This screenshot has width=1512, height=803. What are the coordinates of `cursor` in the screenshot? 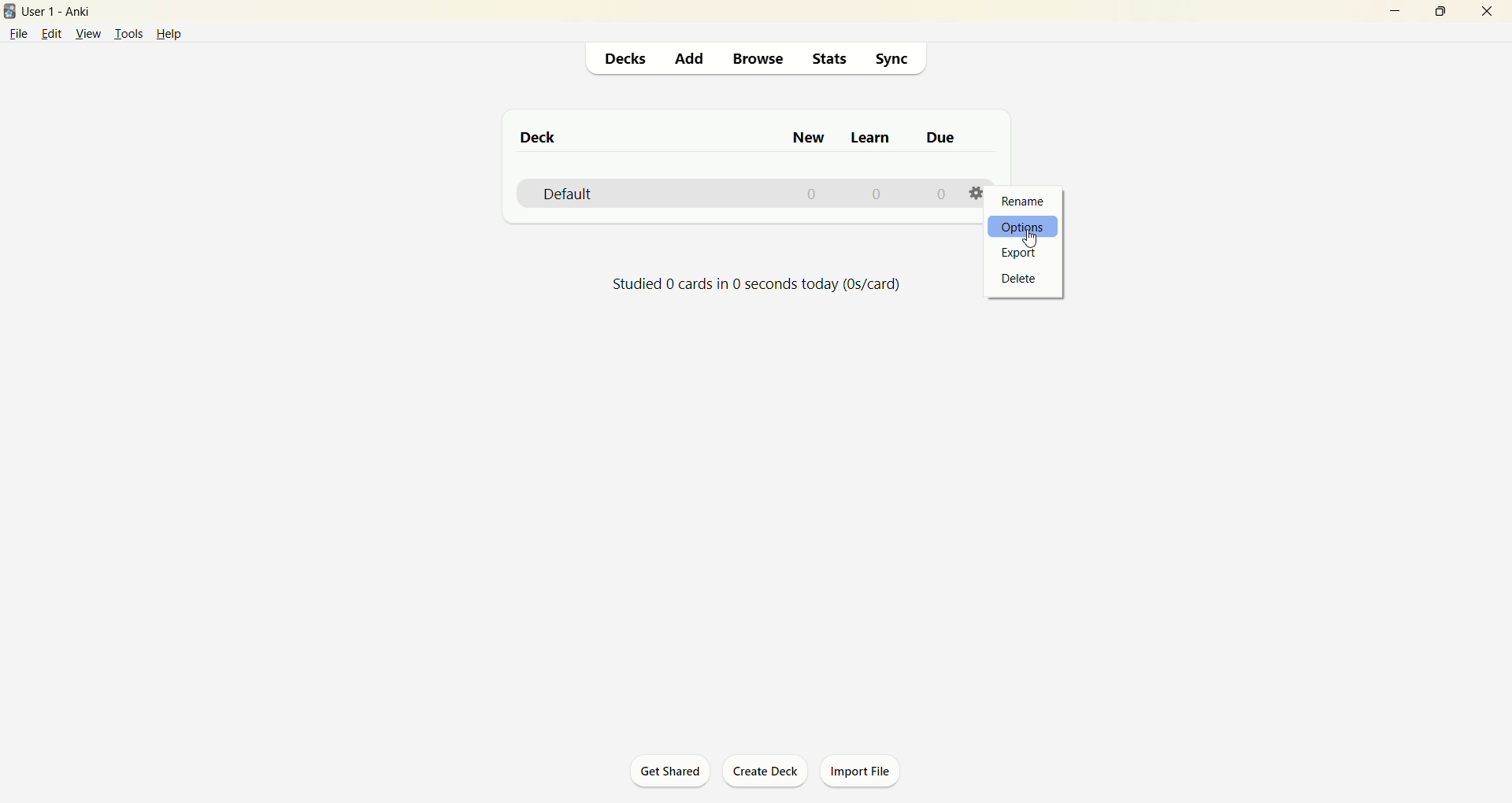 It's located at (1032, 238).